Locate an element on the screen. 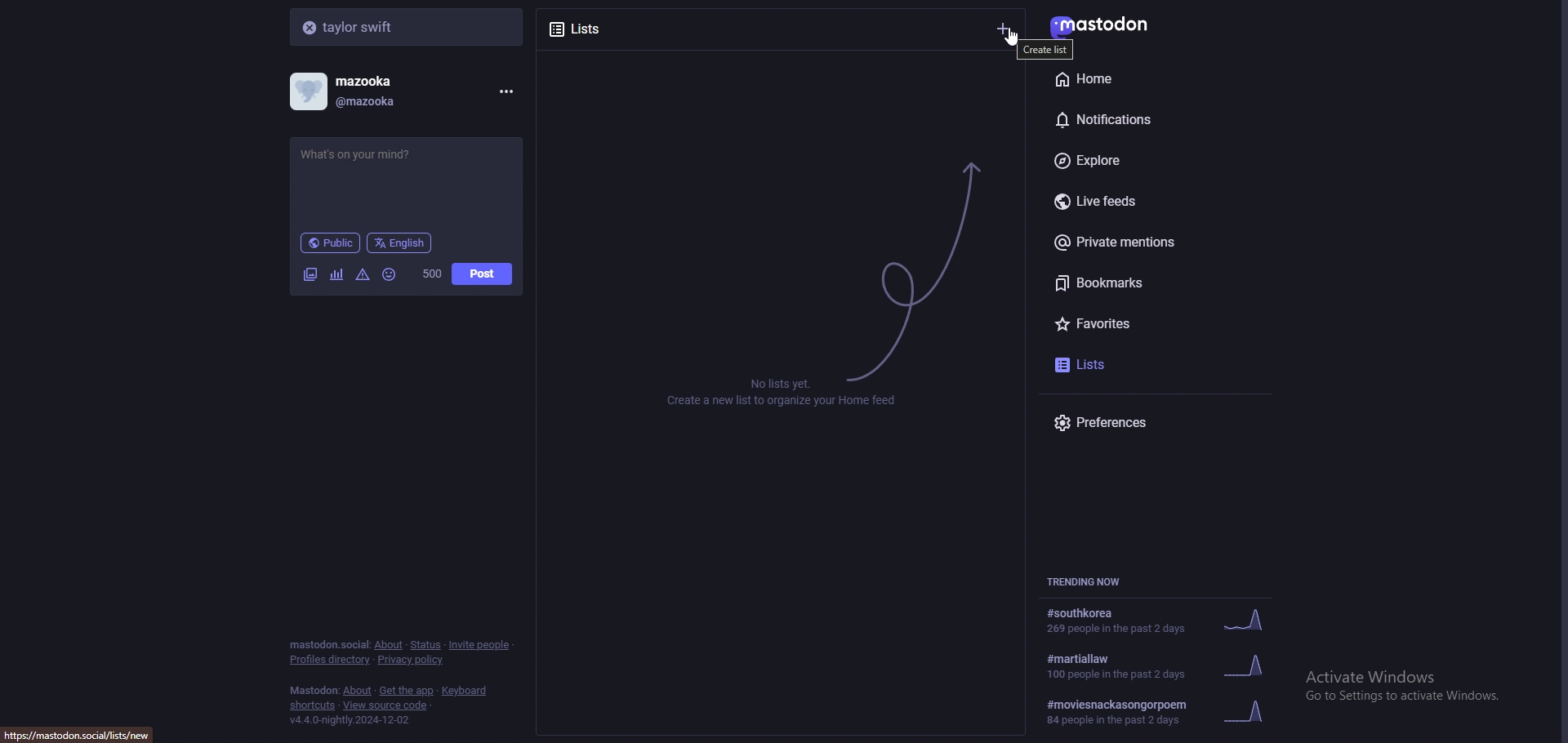 This screenshot has width=1568, height=743. home is located at coordinates (1135, 78).